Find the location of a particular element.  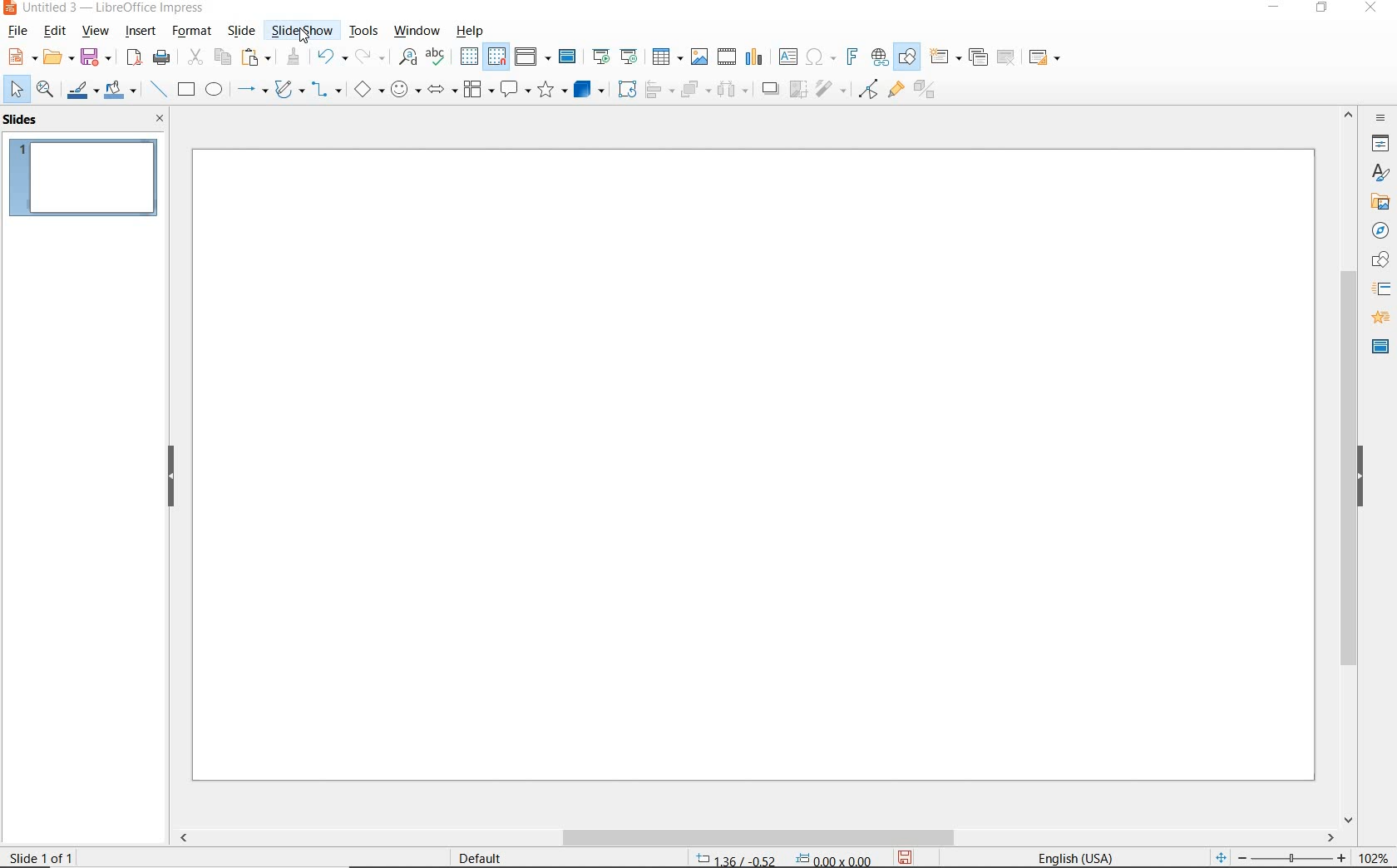

COPY is located at coordinates (222, 58).